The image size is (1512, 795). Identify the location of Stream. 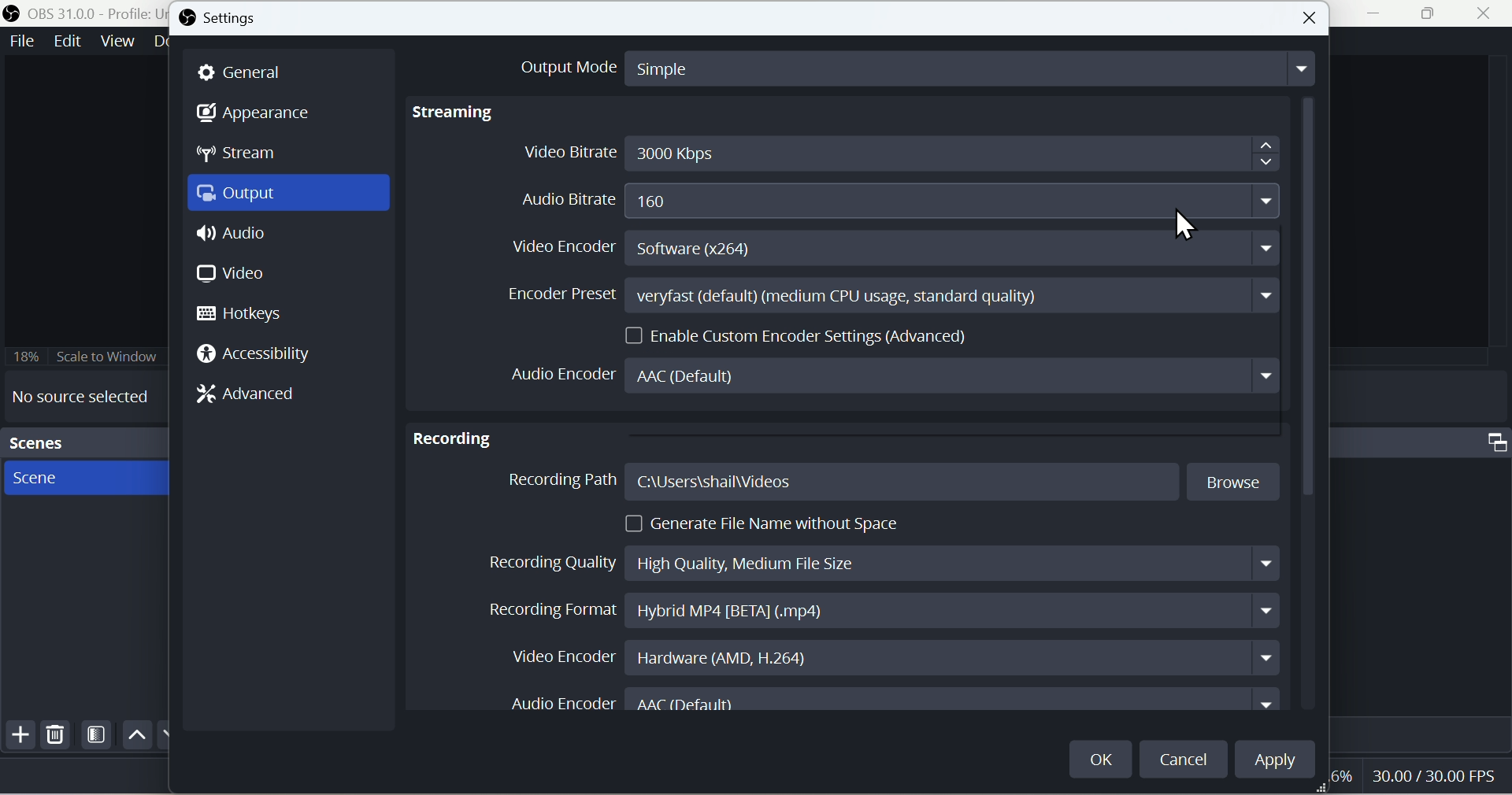
(250, 157).